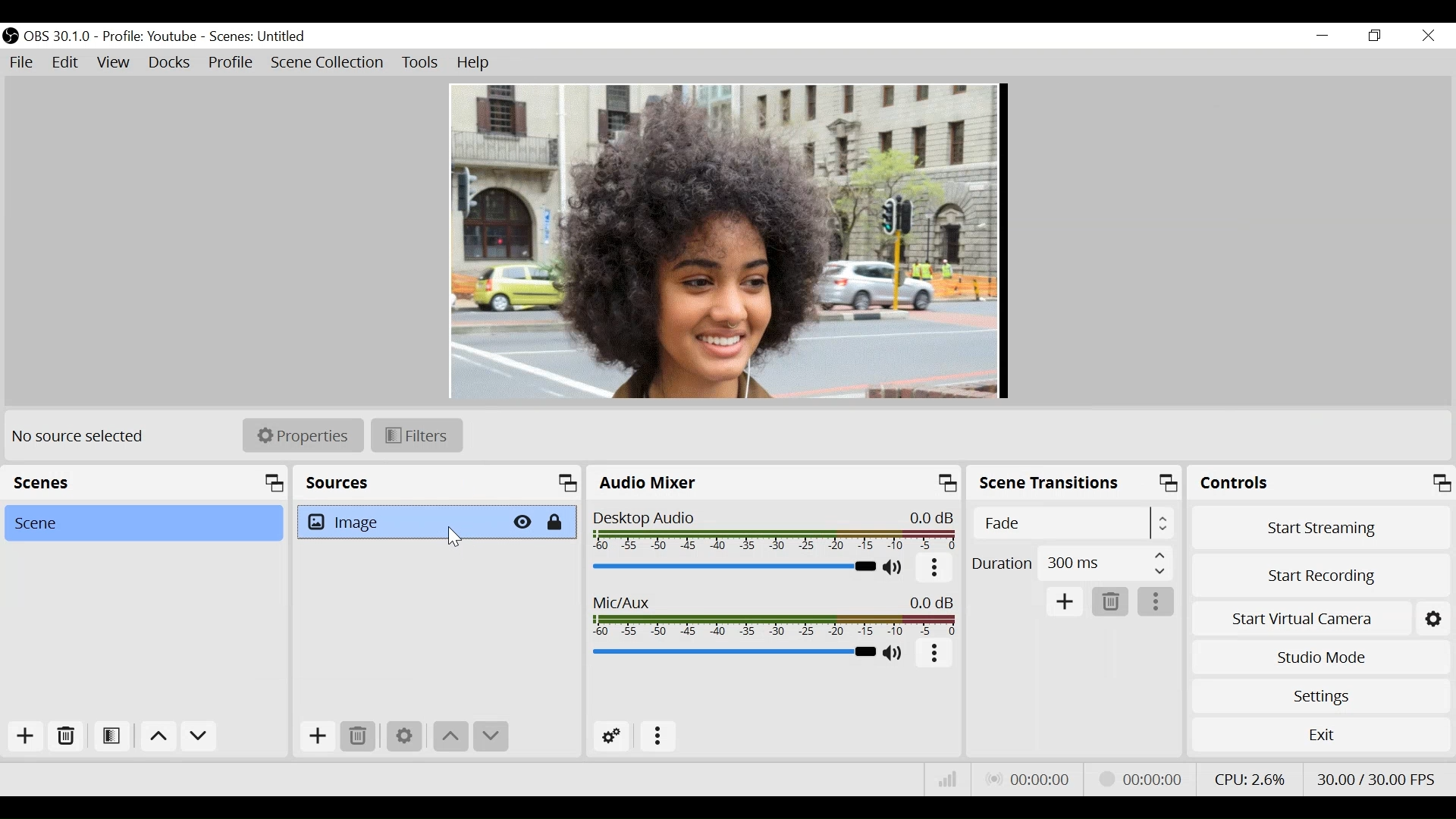 This screenshot has height=819, width=1456. I want to click on Recording Status, so click(1141, 779).